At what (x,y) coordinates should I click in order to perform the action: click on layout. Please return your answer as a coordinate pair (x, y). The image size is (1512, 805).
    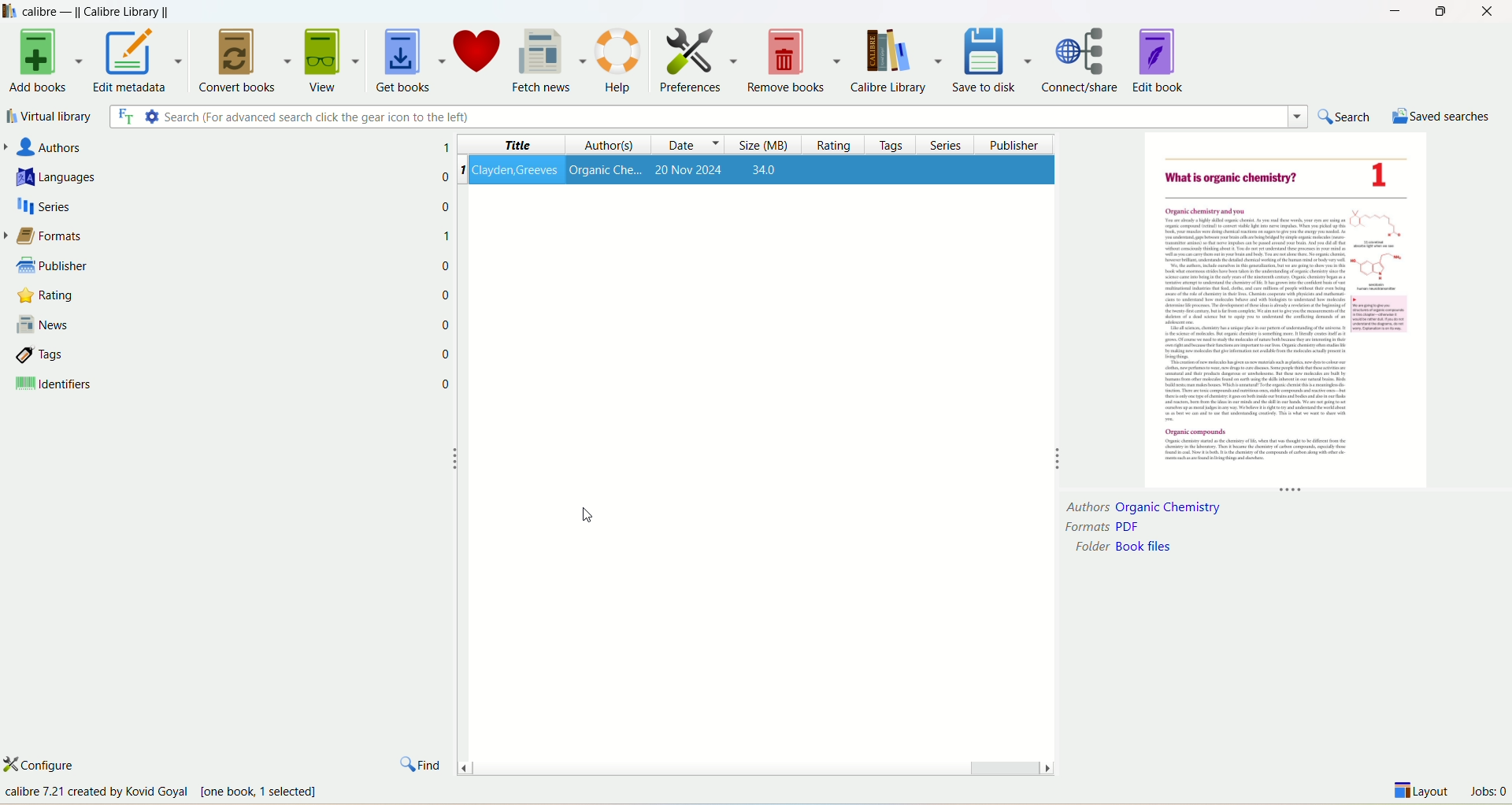
    Looking at the image, I should click on (1423, 793).